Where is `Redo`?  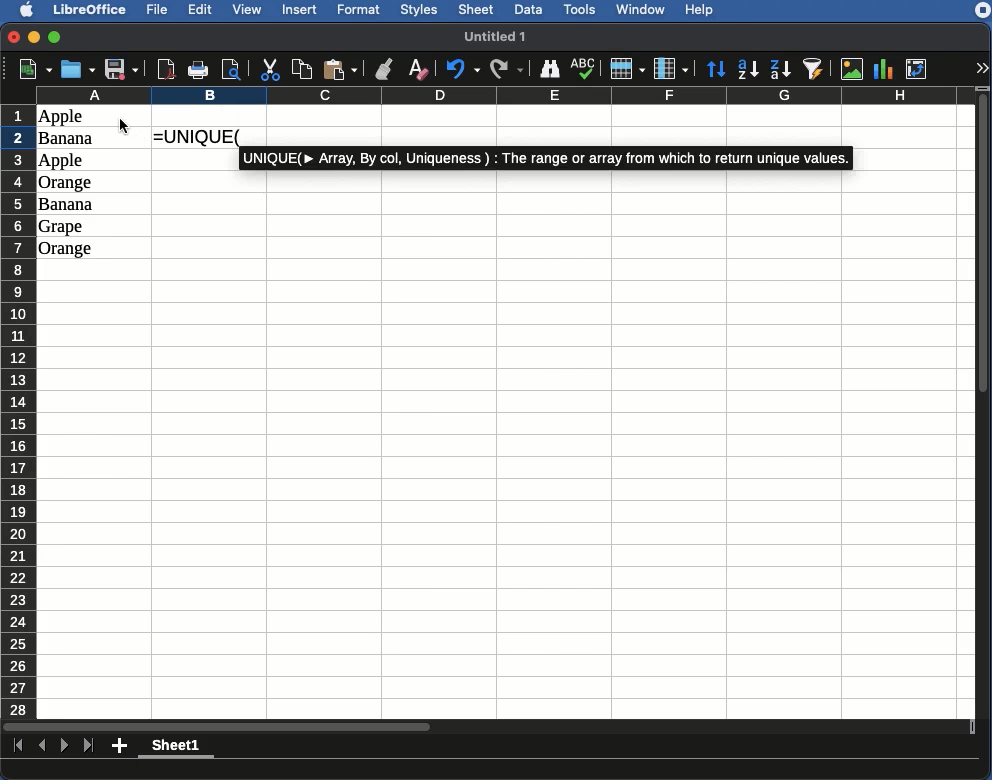
Redo is located at coordinates (508, 68).